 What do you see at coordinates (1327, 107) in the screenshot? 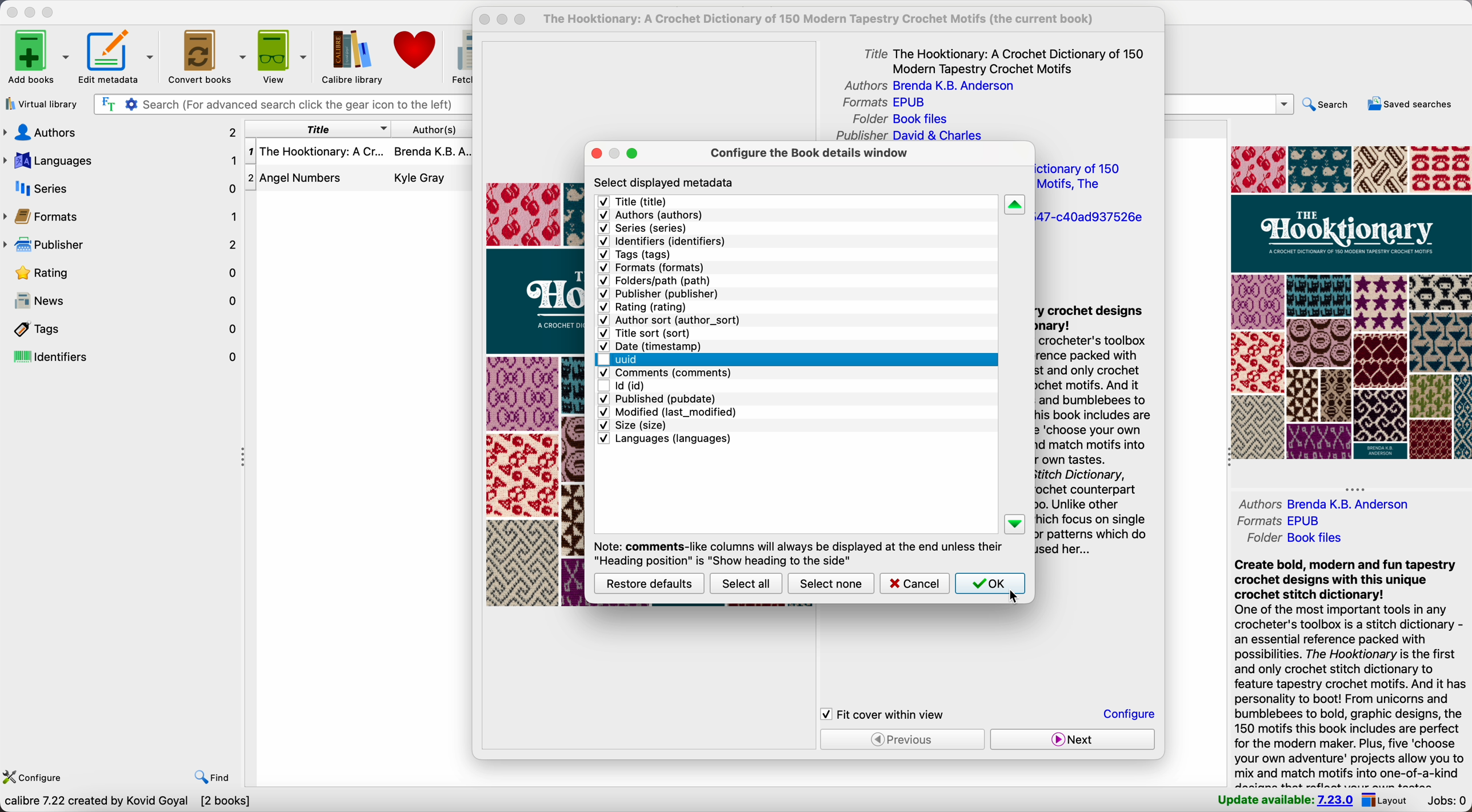
I see `search` at bounding box center [1327, 107].